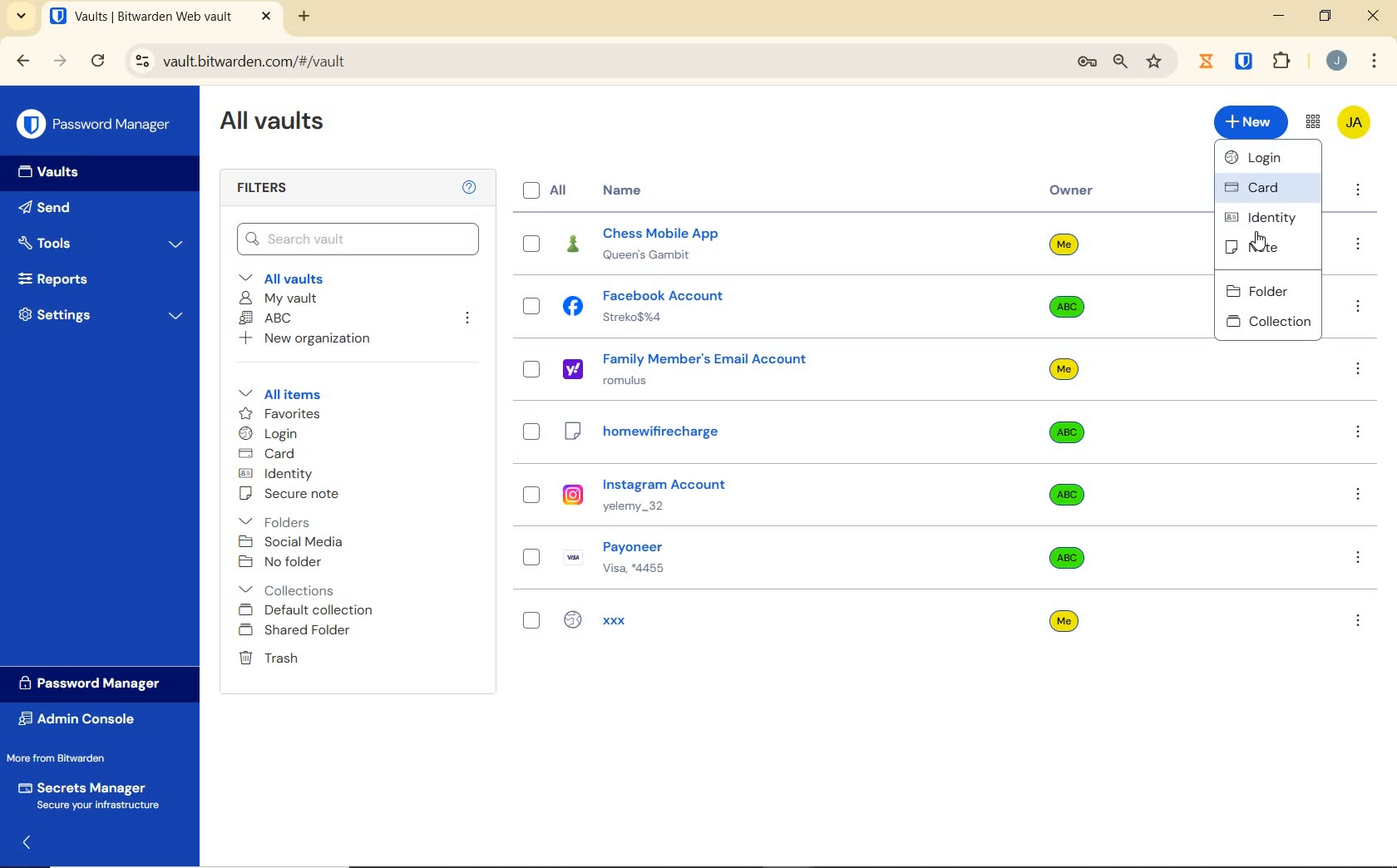 This screenshot has height=868, width=1397. What do you see at coordinates (96, 123) in the screenshot?
I see `Password Manager` at bounding box center [96, 123].